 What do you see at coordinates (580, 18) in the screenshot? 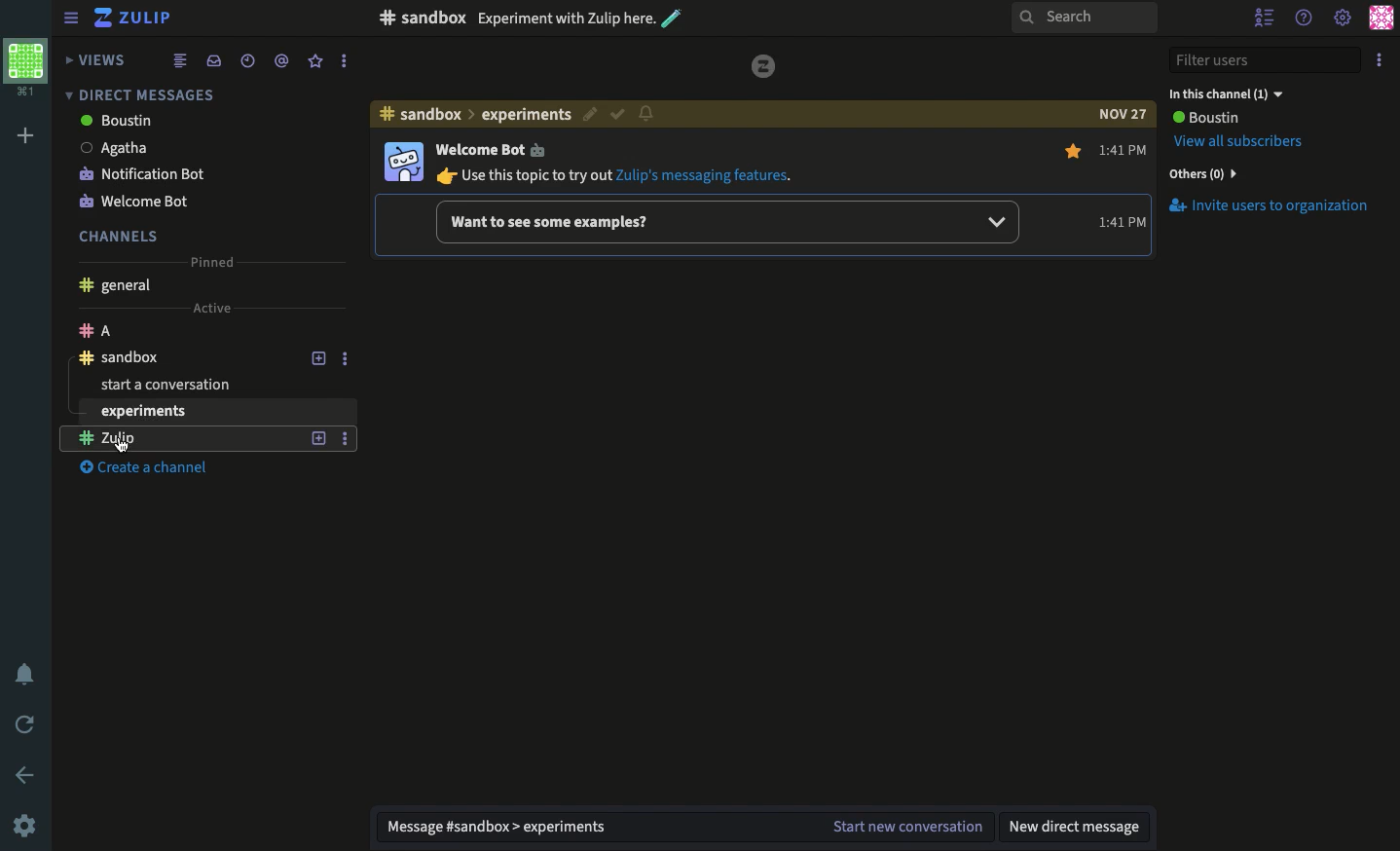
I see `Experiment with zulip here` at bounding box center [580, 18].